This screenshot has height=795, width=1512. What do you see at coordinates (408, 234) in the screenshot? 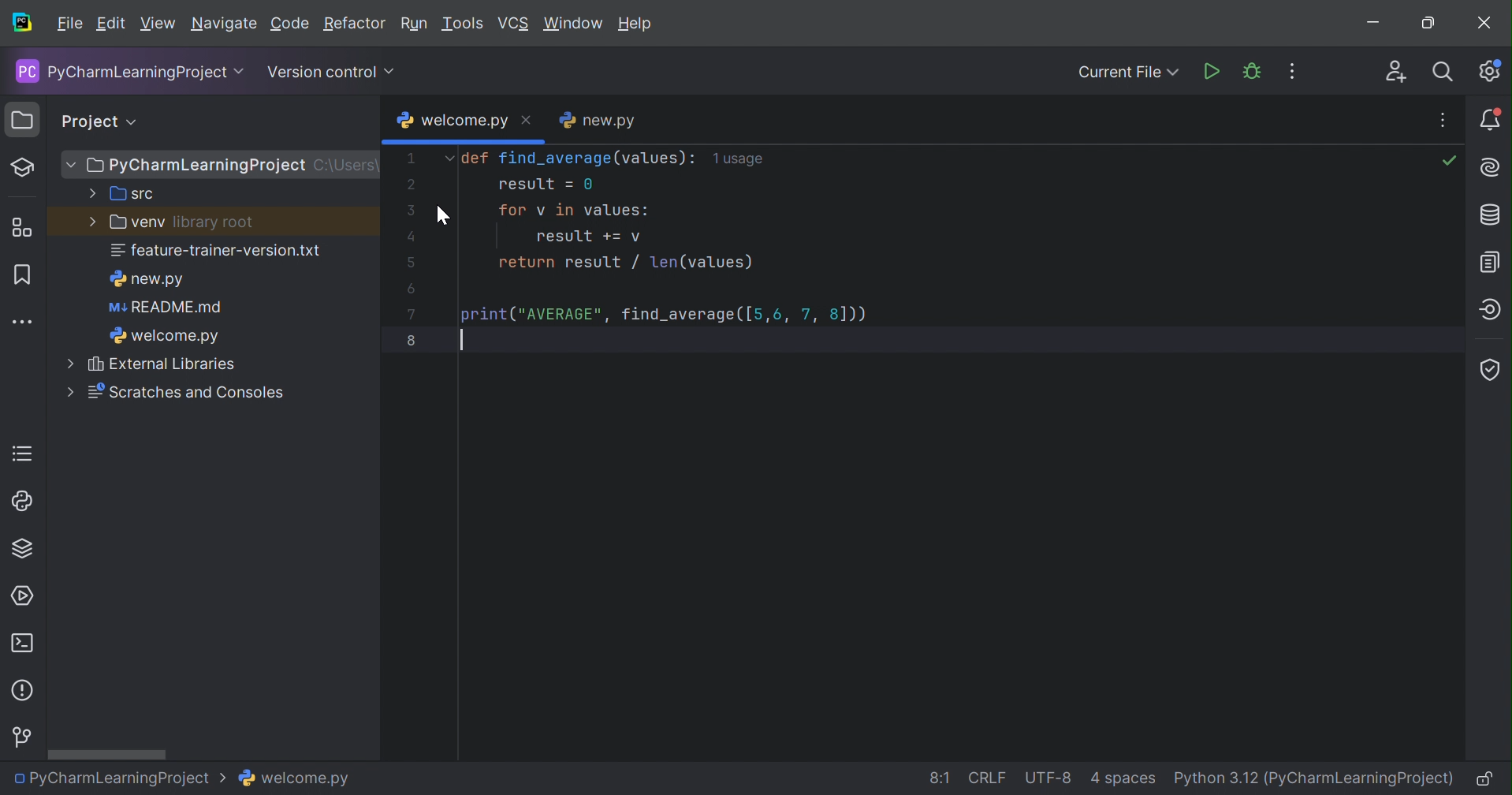
I see `4` at bounding box center [408, 234].